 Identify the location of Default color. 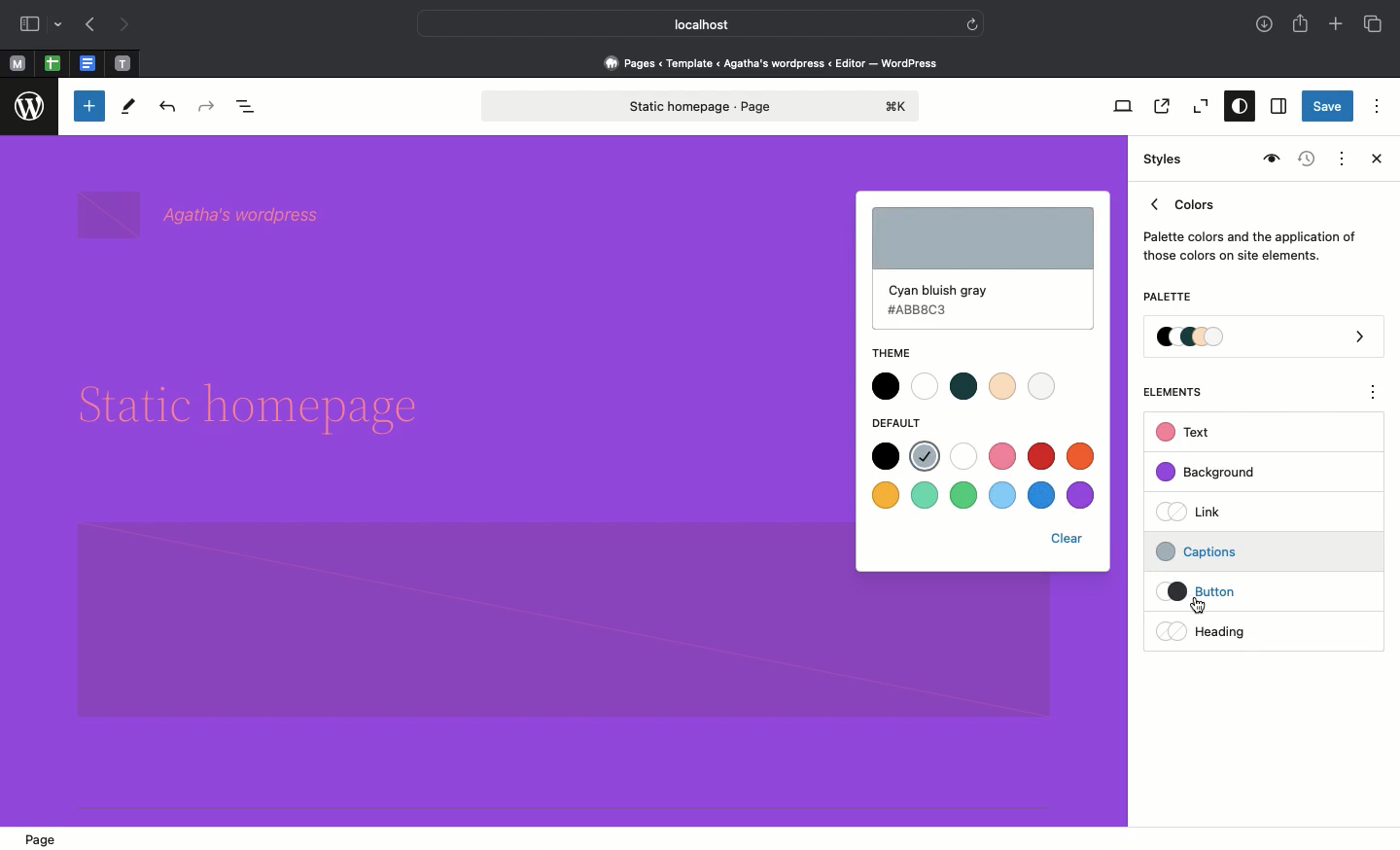
(984, 475).